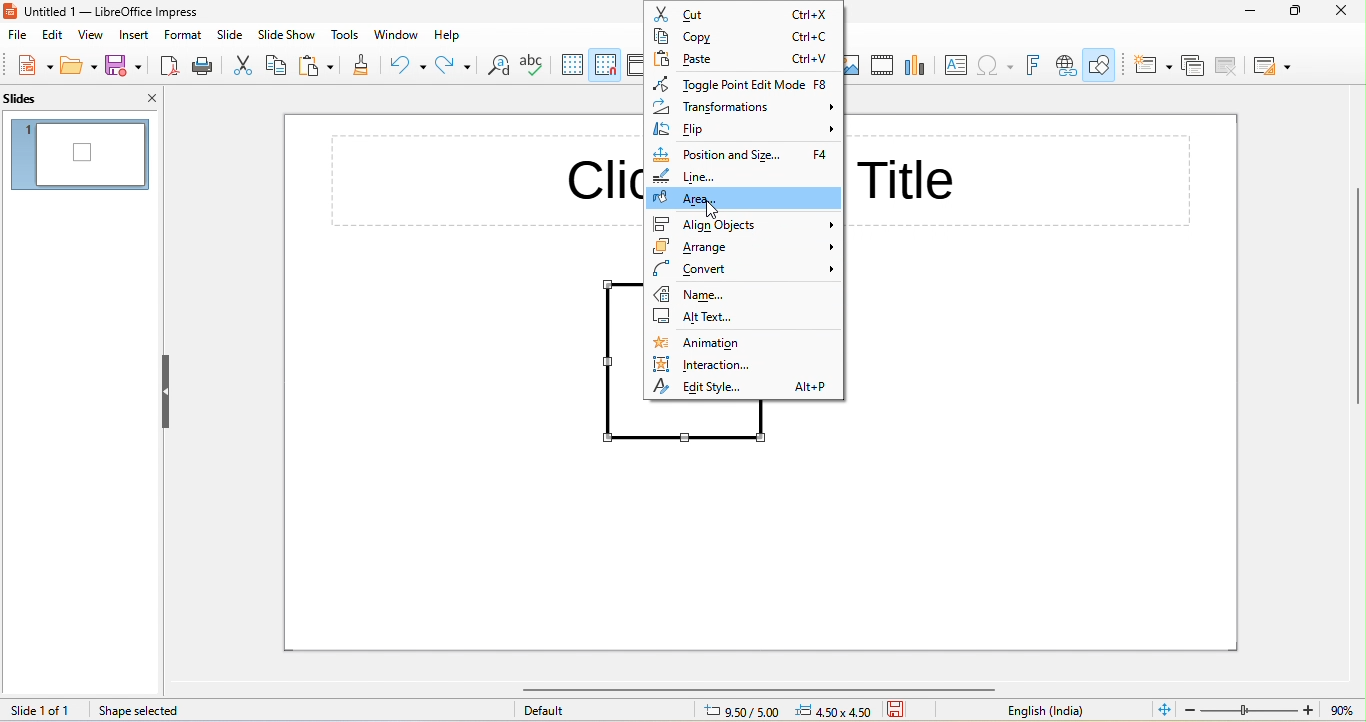 The width and height of the screenshot is (1366, 722). Describe the element at coordinates (700, 38) in the screenshot. I see `copy` at that location.